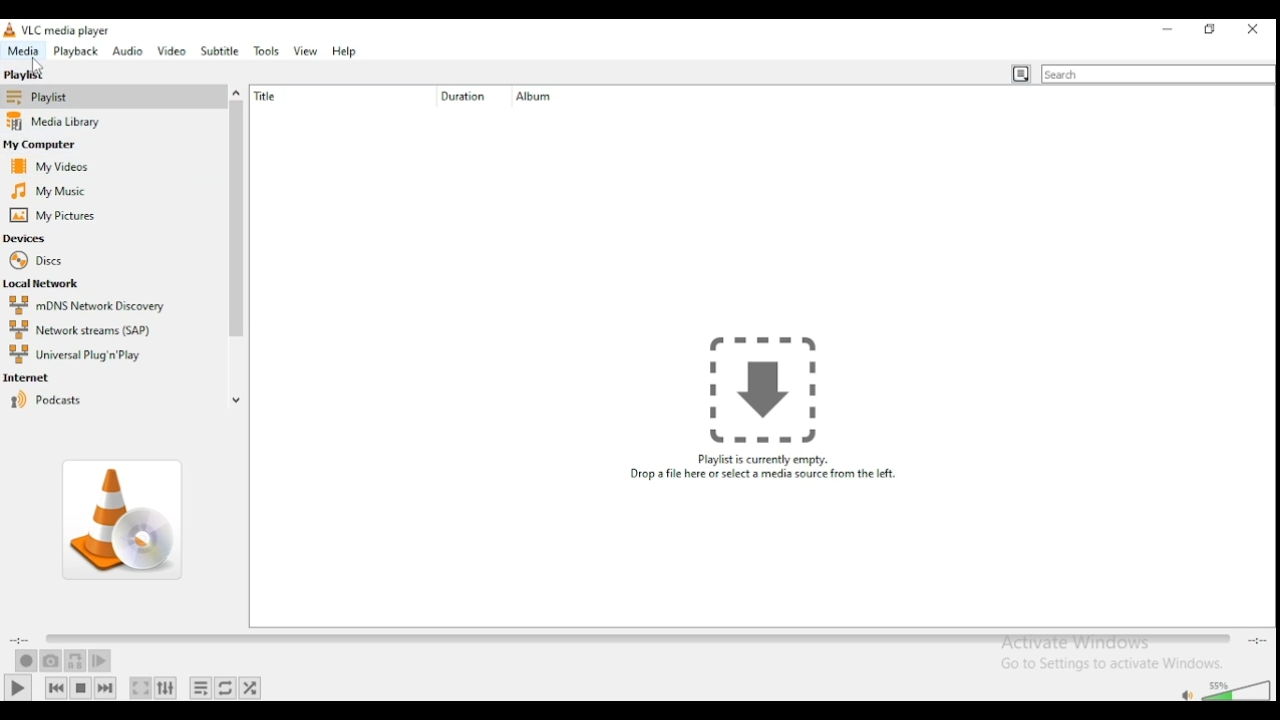  I want to click on duration, so click(465, 97).